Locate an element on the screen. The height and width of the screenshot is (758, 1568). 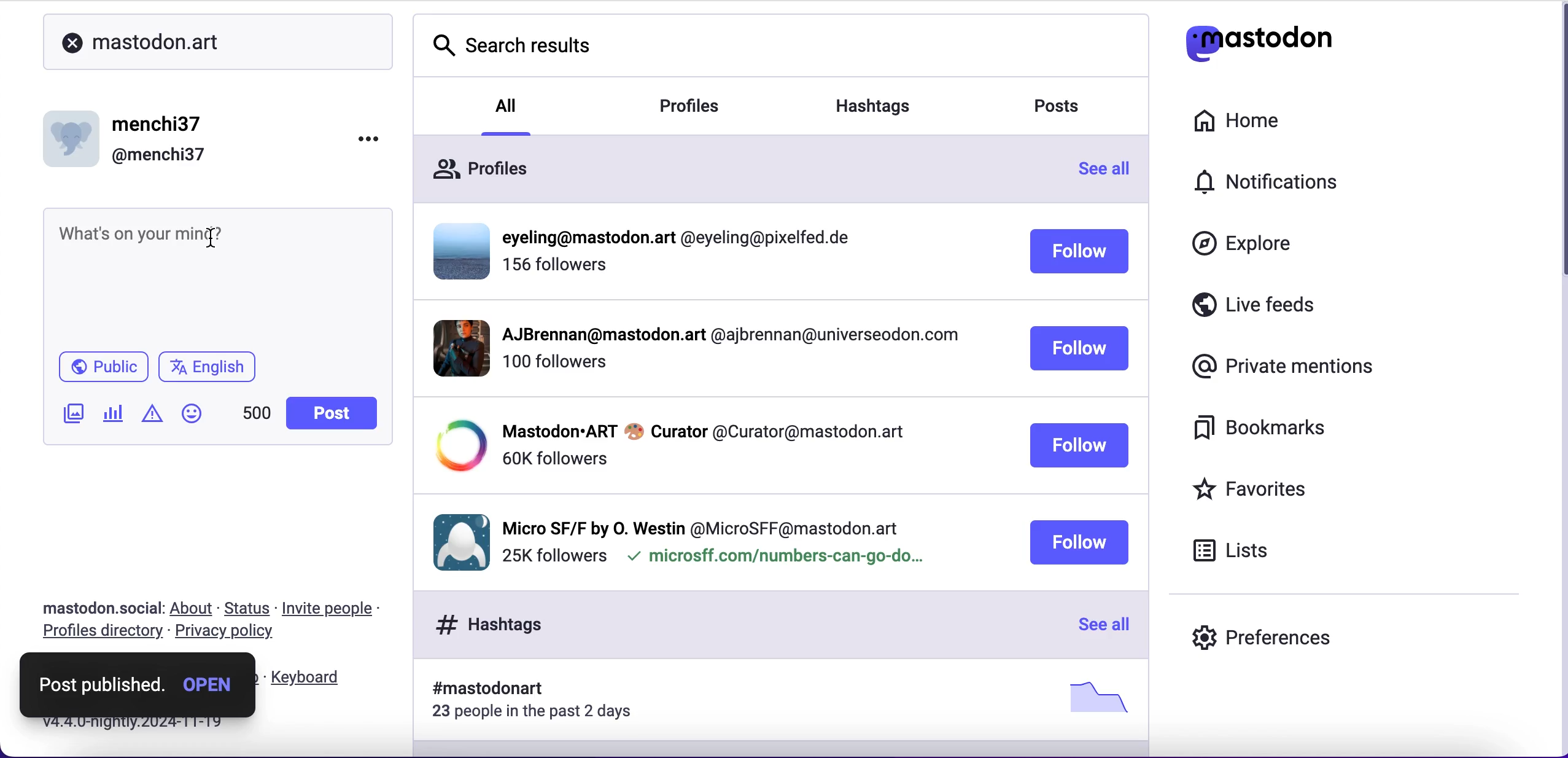
see all is located at coordinates (1111, 173).